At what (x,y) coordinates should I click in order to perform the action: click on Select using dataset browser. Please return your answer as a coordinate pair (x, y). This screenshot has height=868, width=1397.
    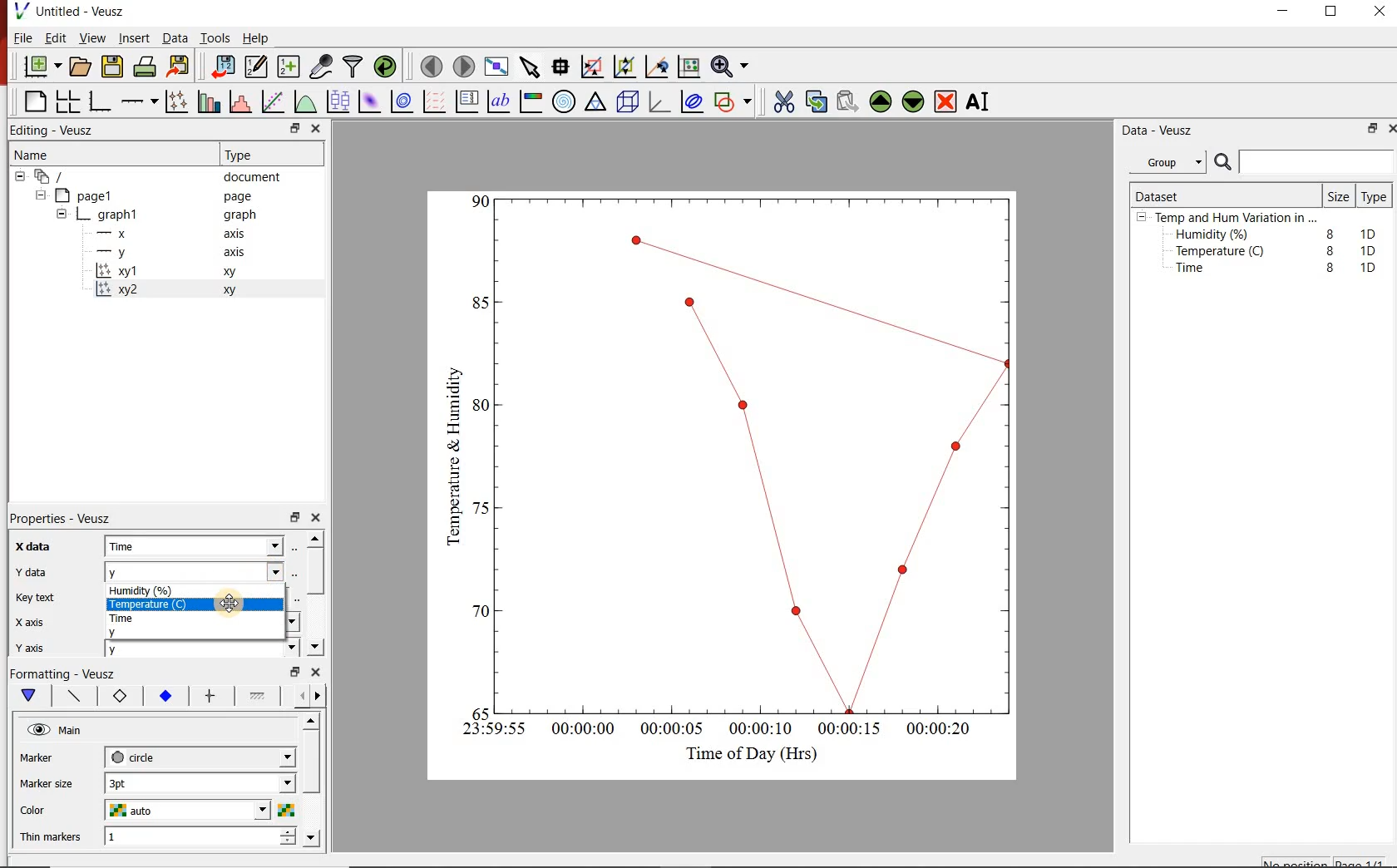
    Looking at the image, I should click on (295, 572).